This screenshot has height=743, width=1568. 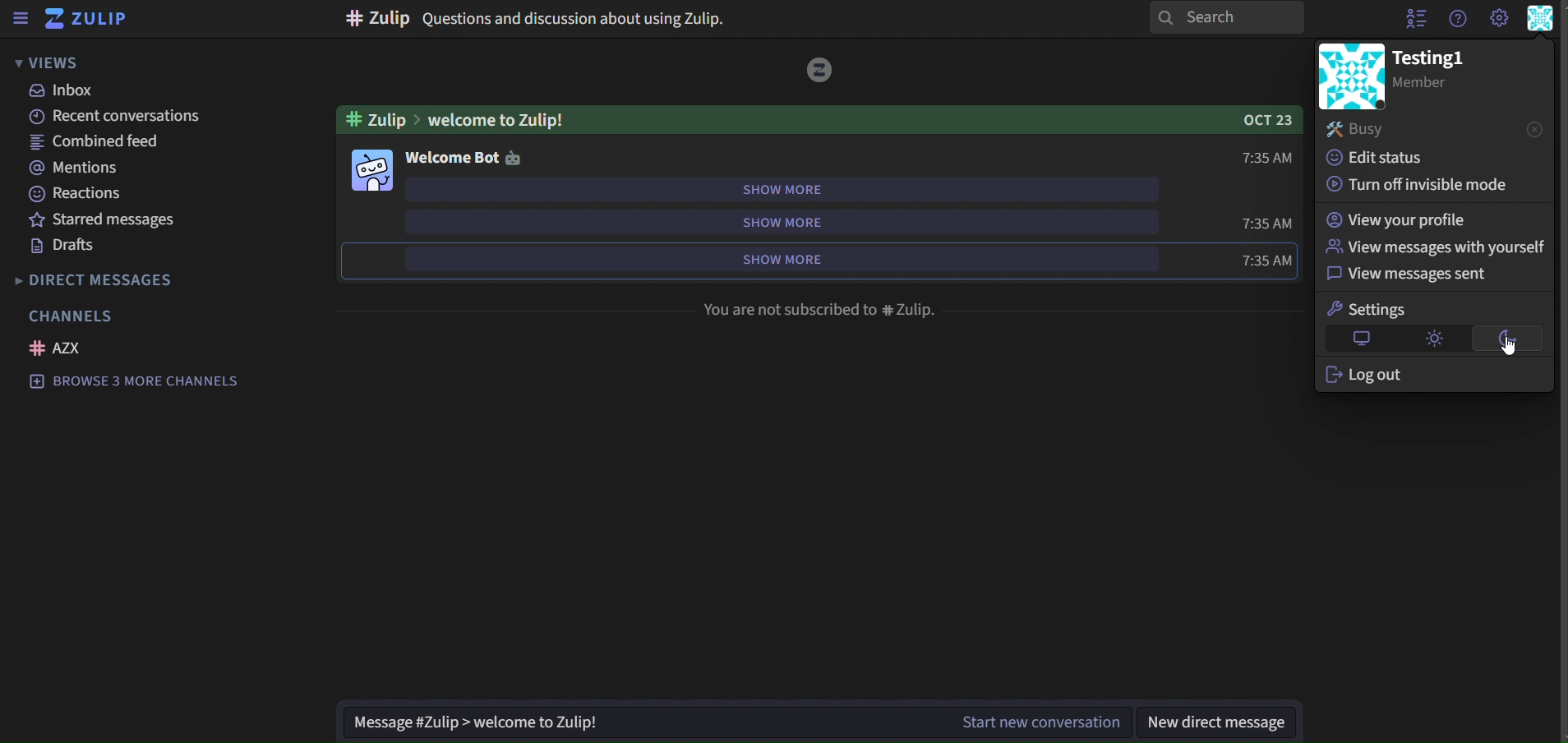 I want to click on search, so click(x=1228, y=17).